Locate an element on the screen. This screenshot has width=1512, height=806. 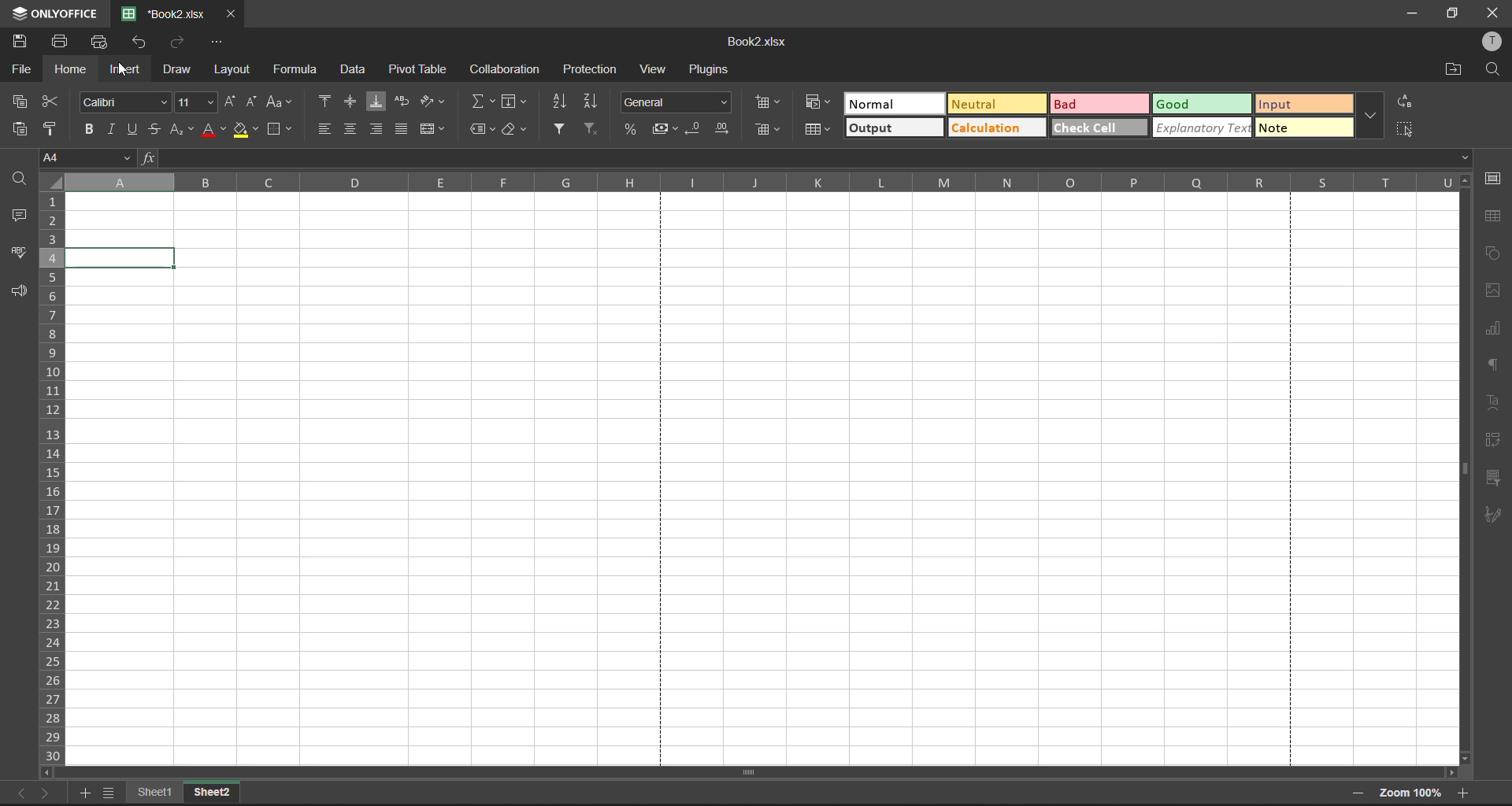
strikethrough is located at coordinates (154, 129).